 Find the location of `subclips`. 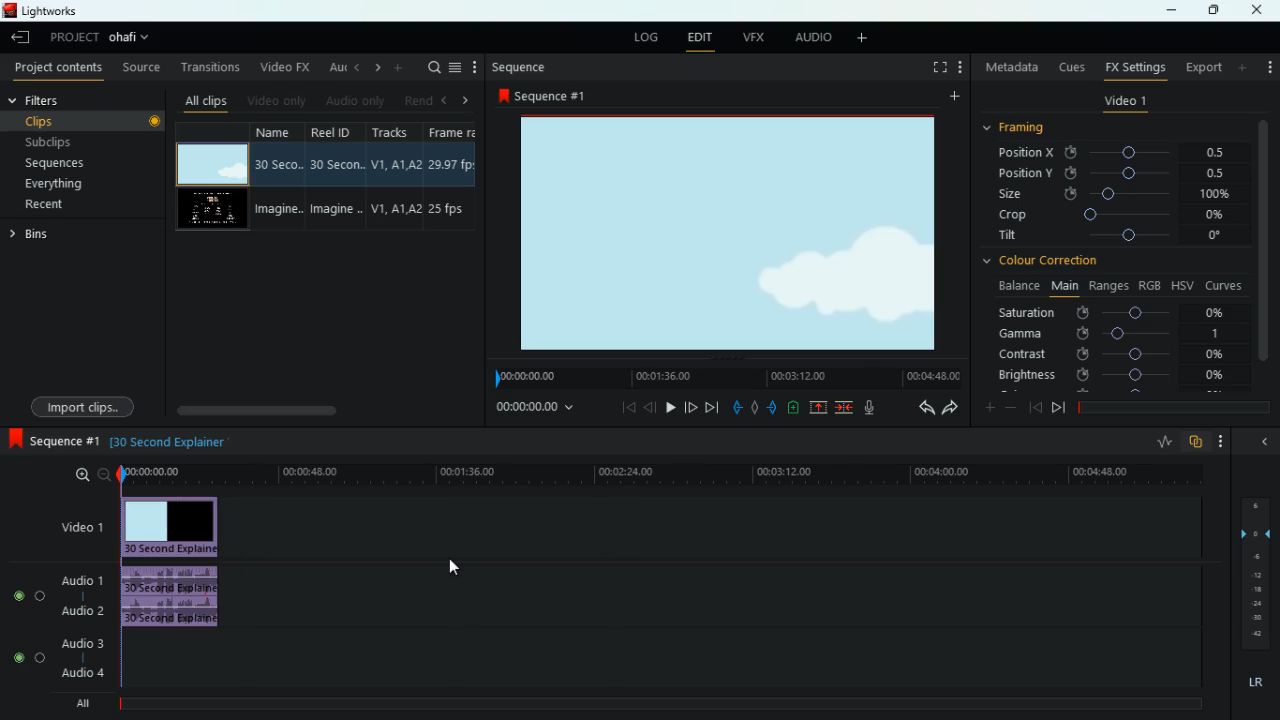

subclips is located at coordinates (54, 141).